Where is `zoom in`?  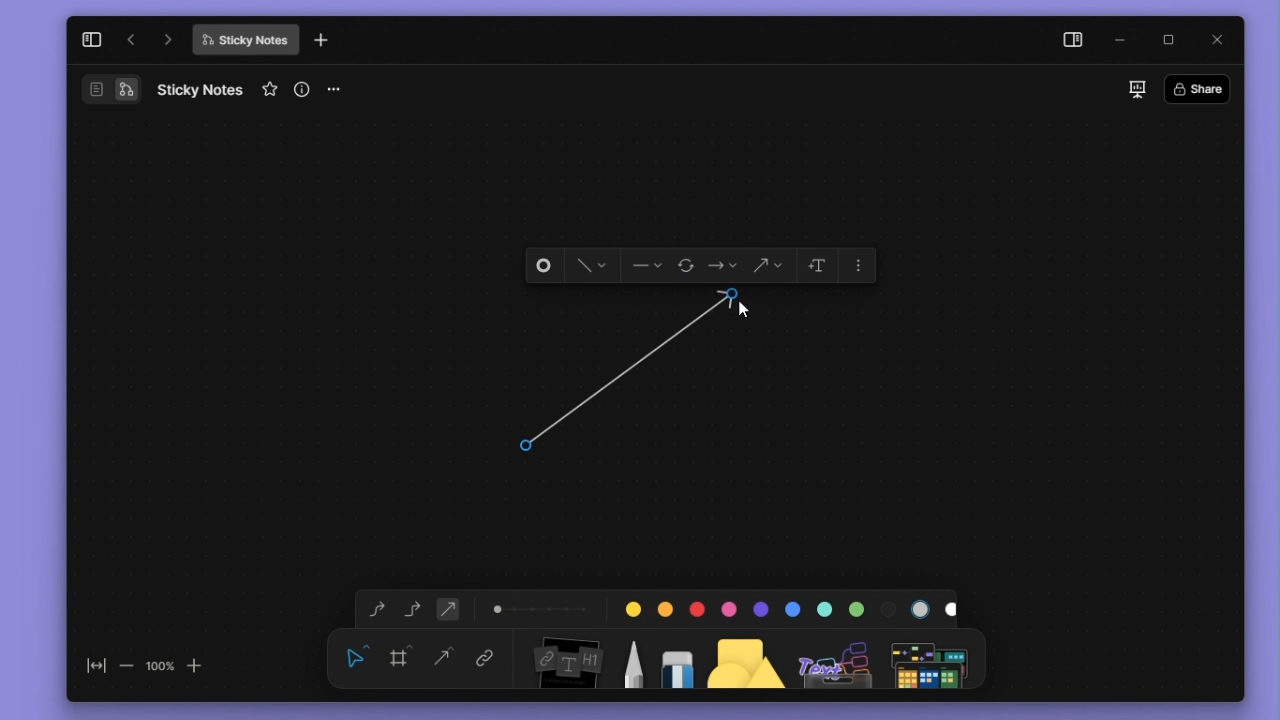 zoom in is located at coordinates (196, 664).